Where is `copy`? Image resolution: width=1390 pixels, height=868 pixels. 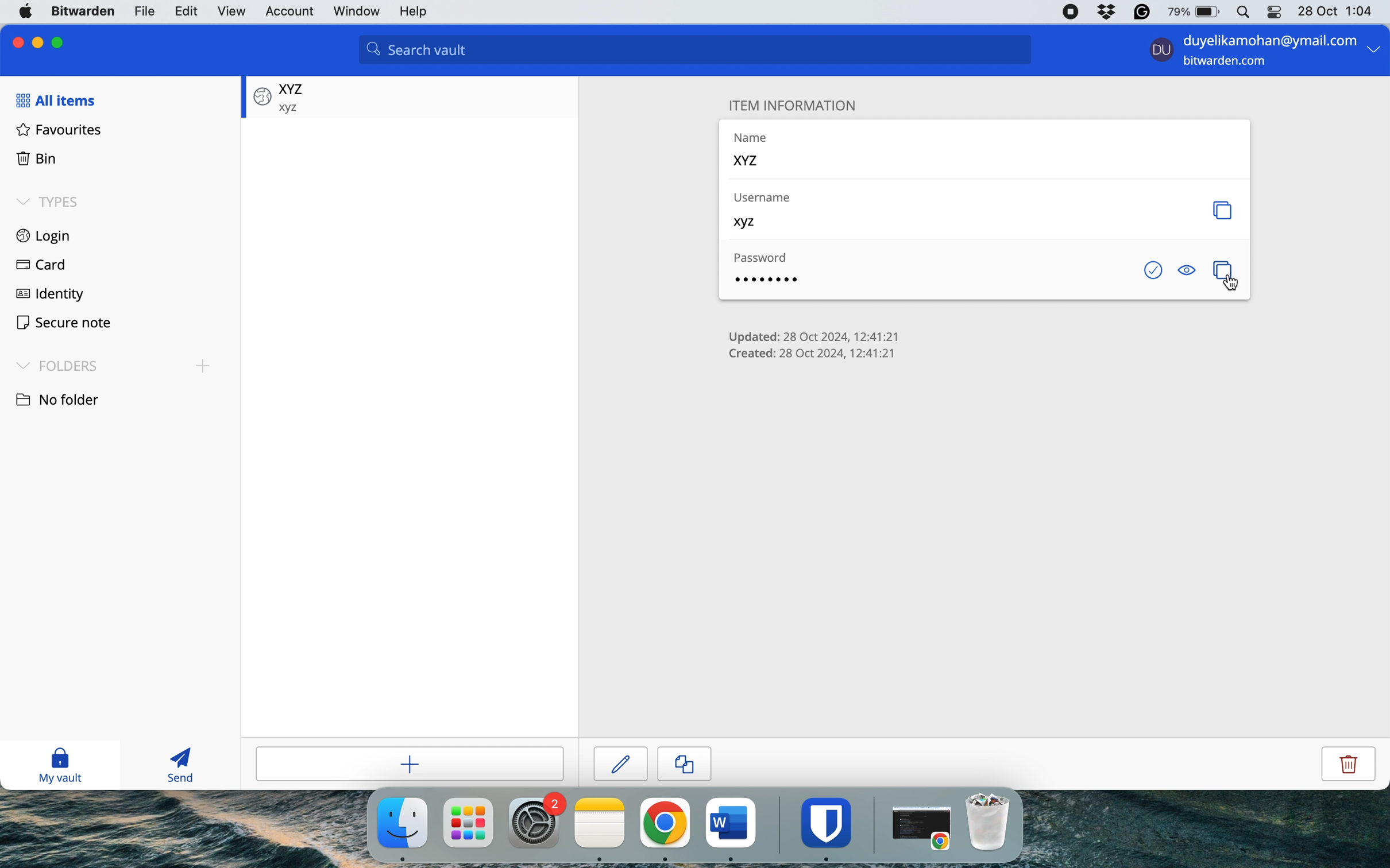 copy is located at coordinates (697, 762).